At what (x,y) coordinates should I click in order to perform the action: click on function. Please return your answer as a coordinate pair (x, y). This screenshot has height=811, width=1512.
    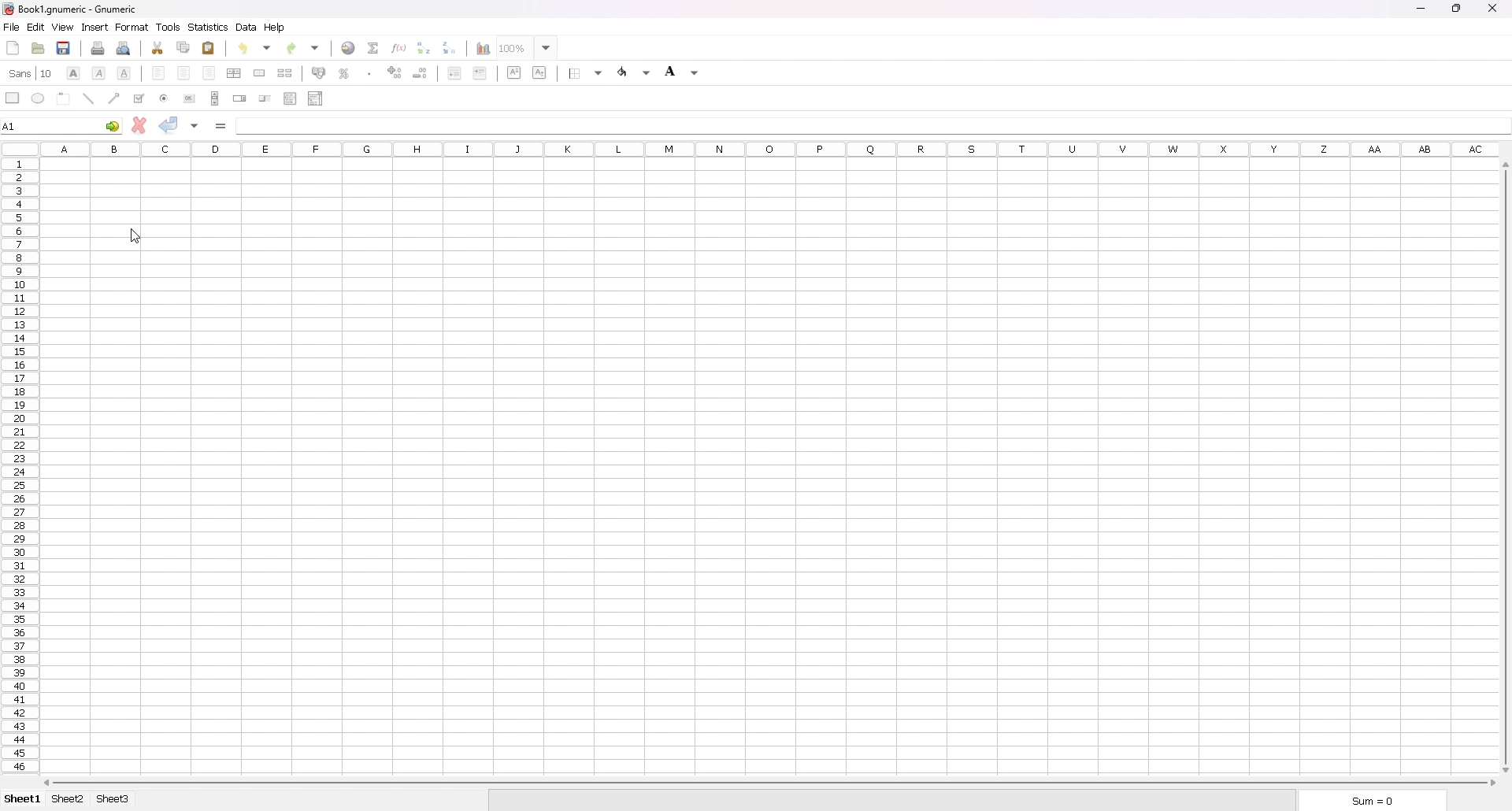
    Looking at the image, I should click on (399, 48).